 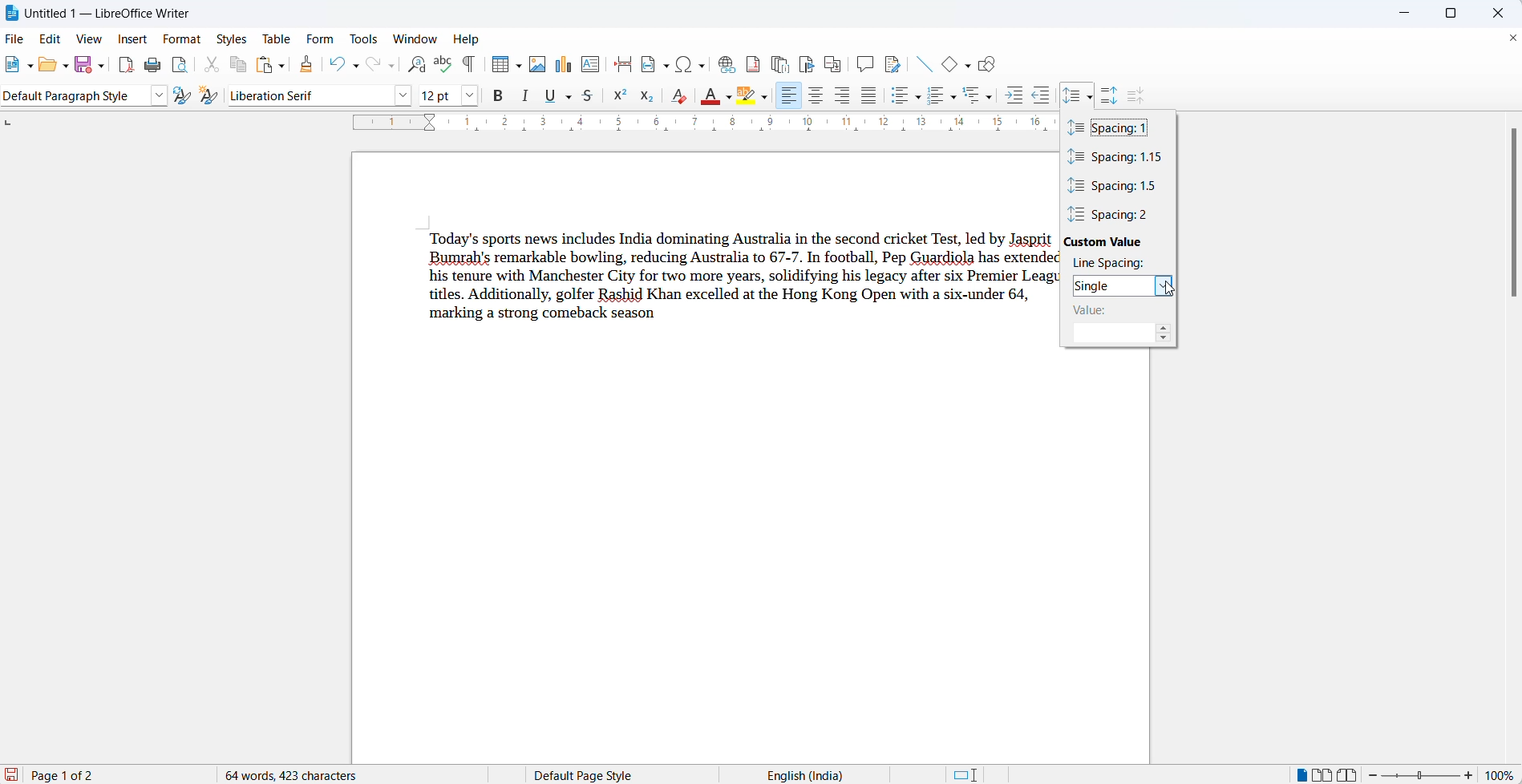 What do you see at coordinates (709, 96) in the screenshot?
I see `fill color` at bounding box center [709, 96].